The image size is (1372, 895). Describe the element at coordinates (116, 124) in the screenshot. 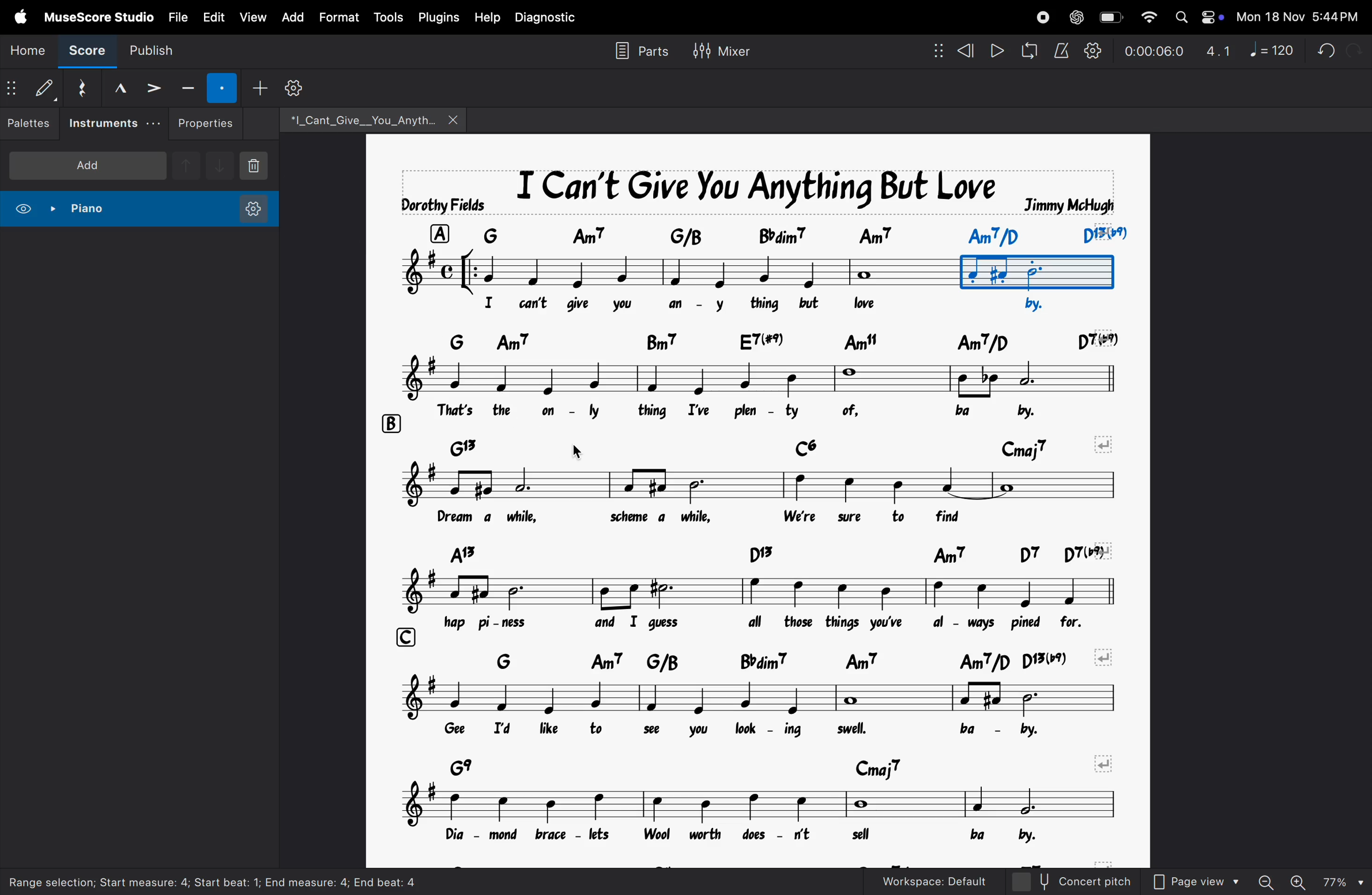

I see `instruments` at that location.